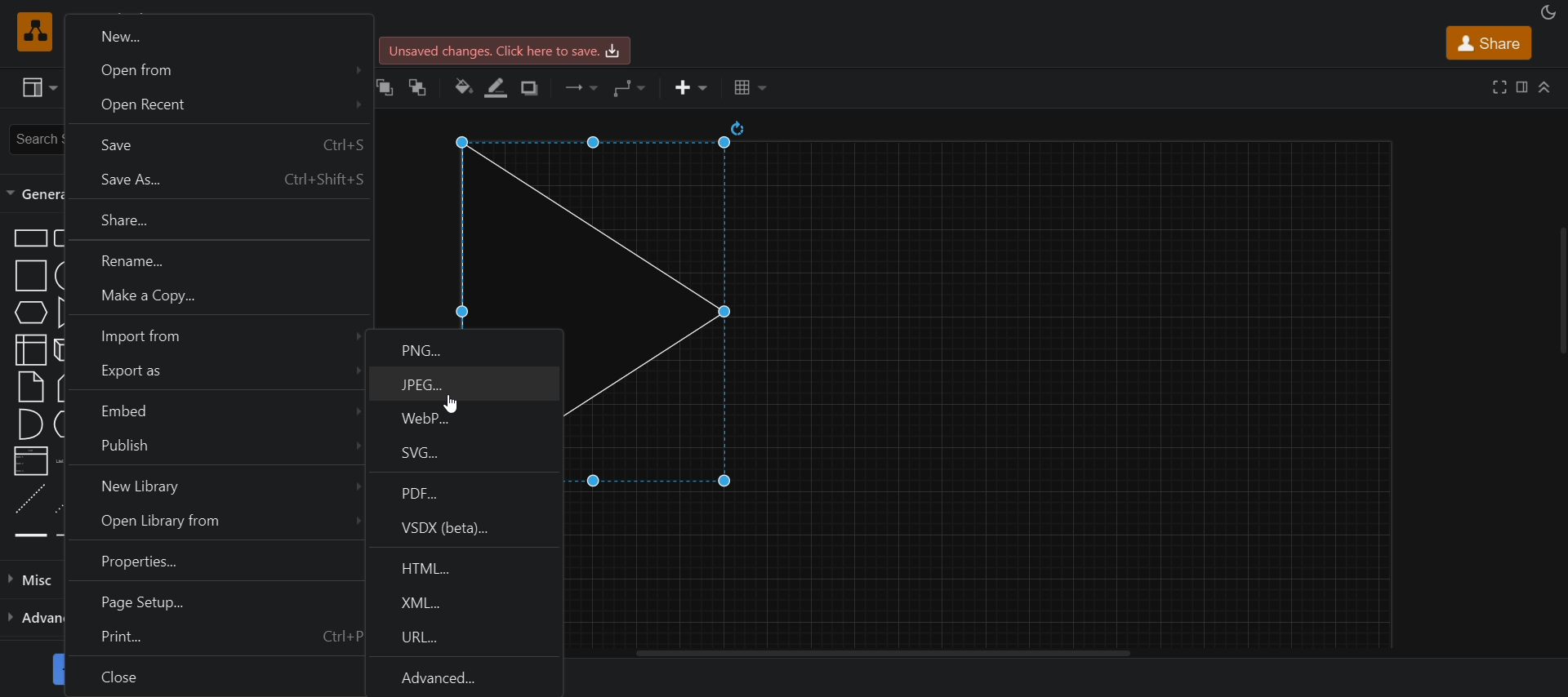  What do you see at coordinates (32, 31) in the screenshot?
I see `logo` at bounding box center [32, 31].